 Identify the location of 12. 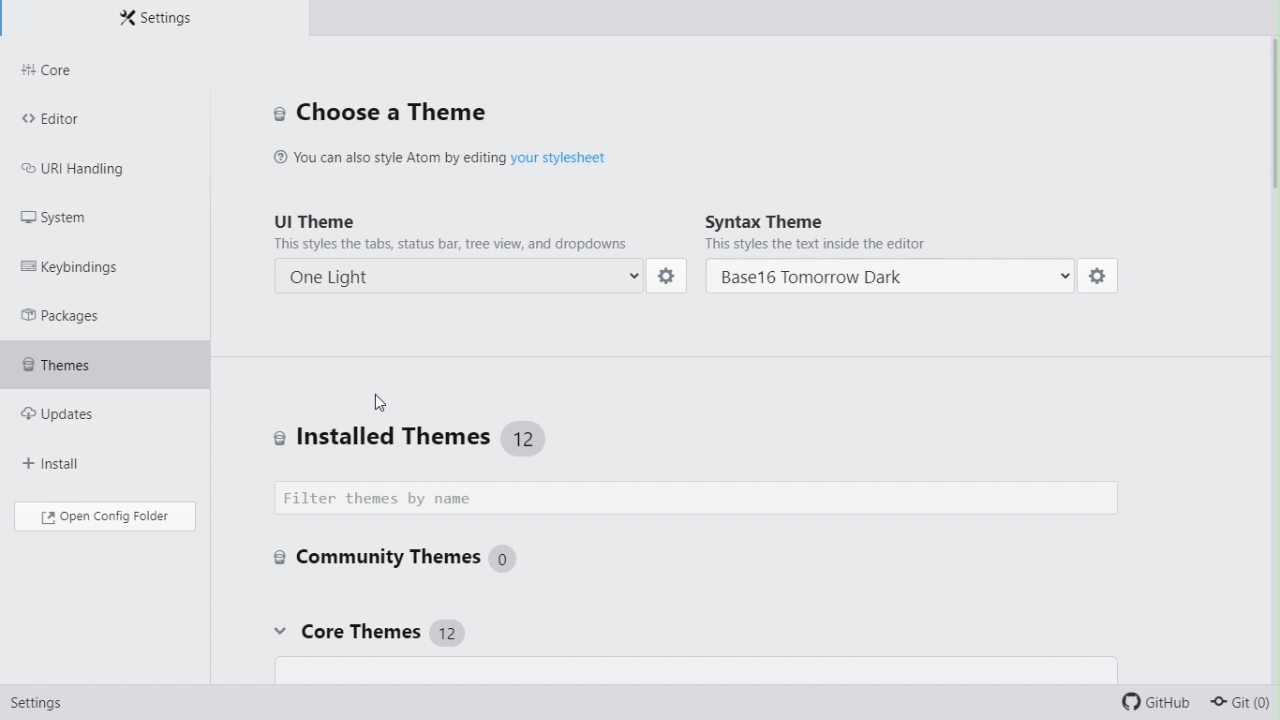
(525, 437).